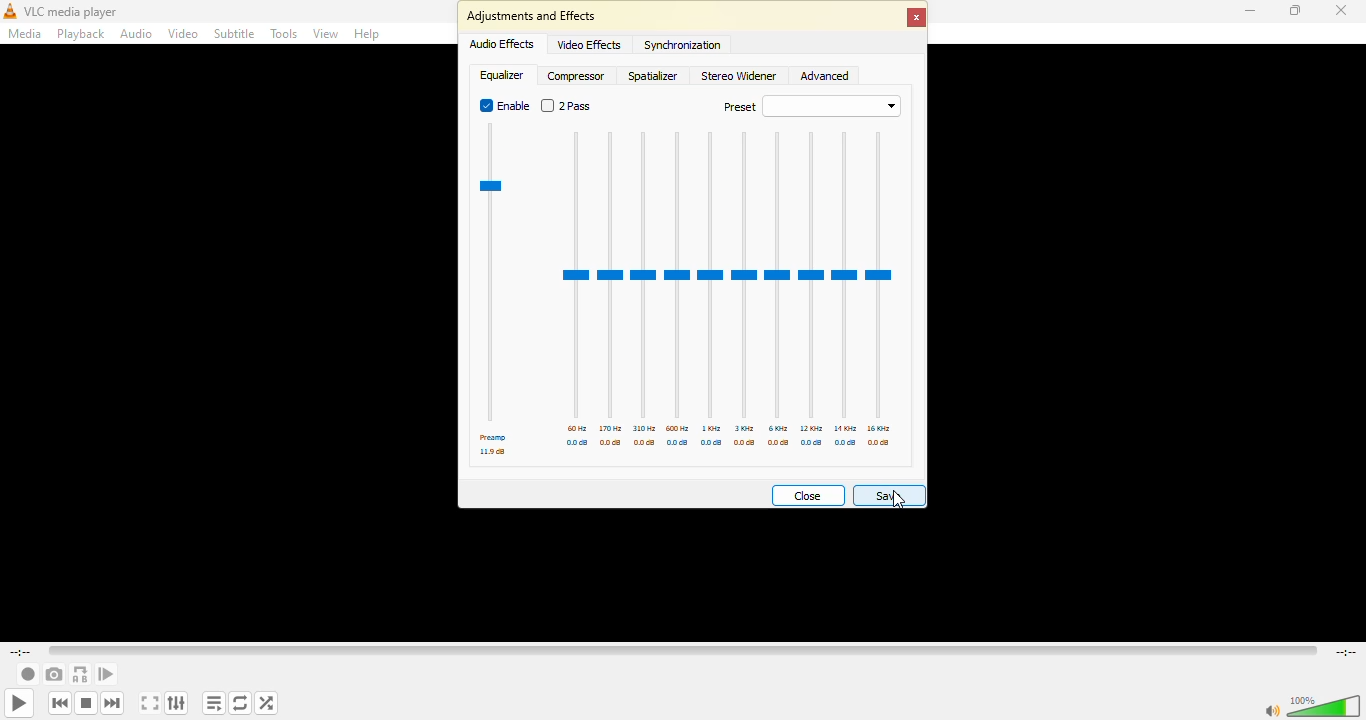 This screenshot has width=1366, height=720. Describe the element at coordinates (577, 429) in the screenshot. I see `60 hz` at that location.